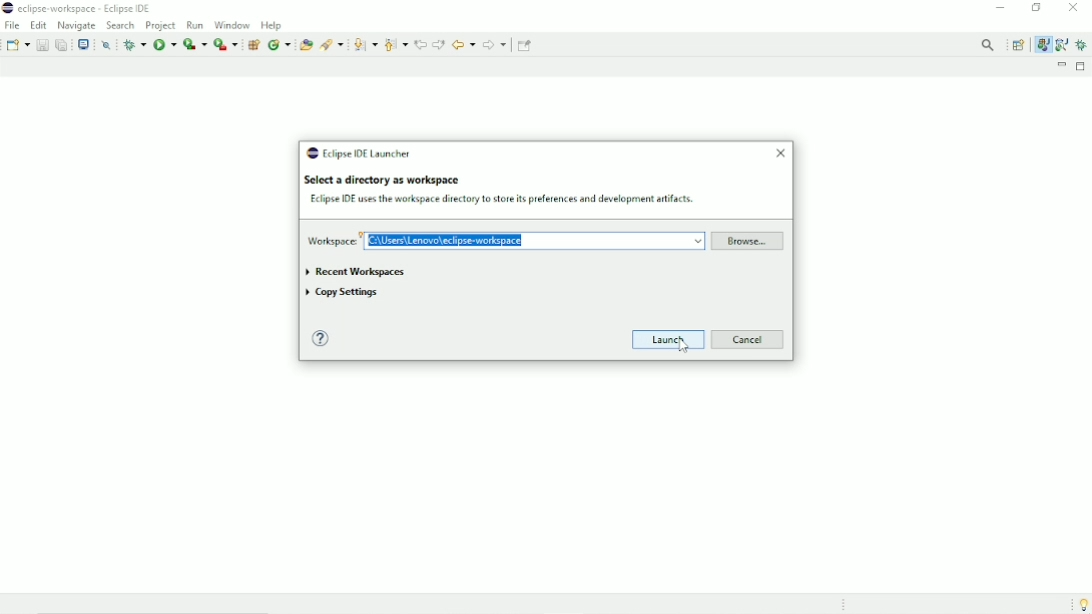  Describe the element at coordinates (226, 44) in the screenshot. I see `Run last tool` at that location.